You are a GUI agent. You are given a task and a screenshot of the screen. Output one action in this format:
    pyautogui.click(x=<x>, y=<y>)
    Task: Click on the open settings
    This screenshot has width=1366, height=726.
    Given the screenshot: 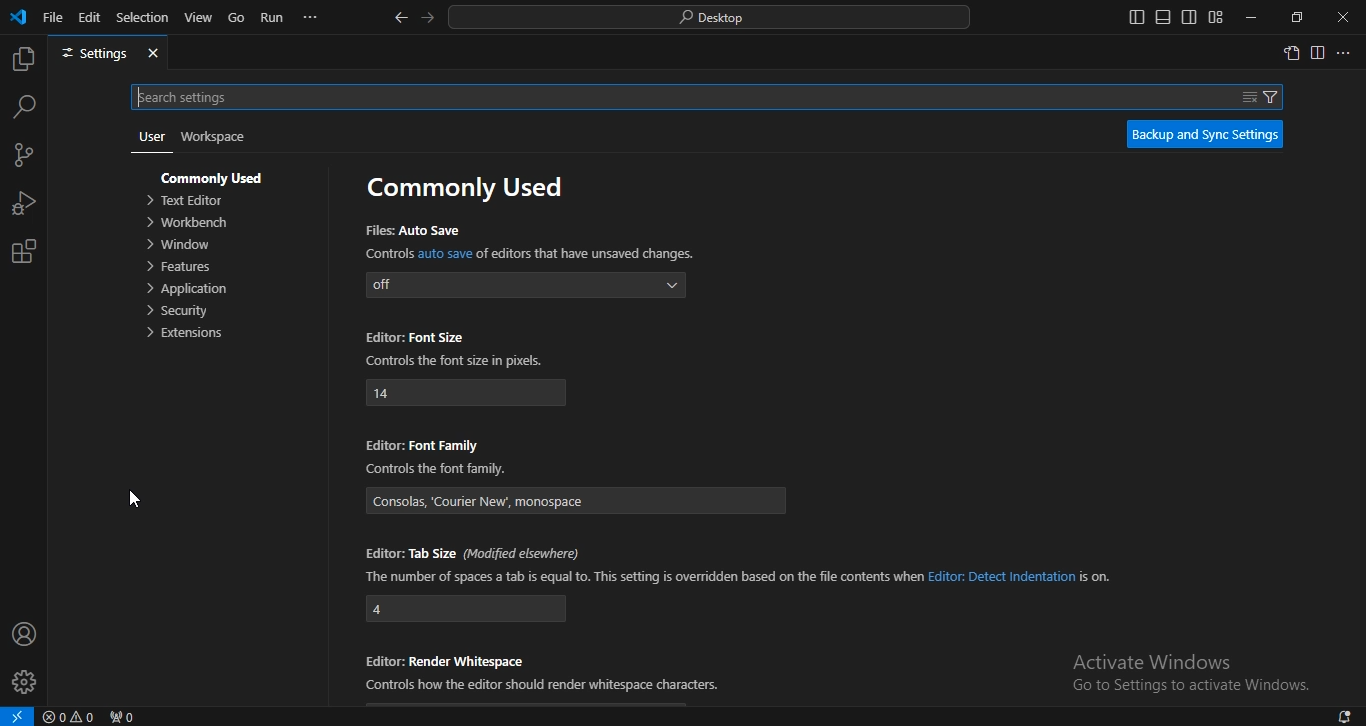 What is the action you would take?
    pyautogui.click(x=1293, y=55)
    